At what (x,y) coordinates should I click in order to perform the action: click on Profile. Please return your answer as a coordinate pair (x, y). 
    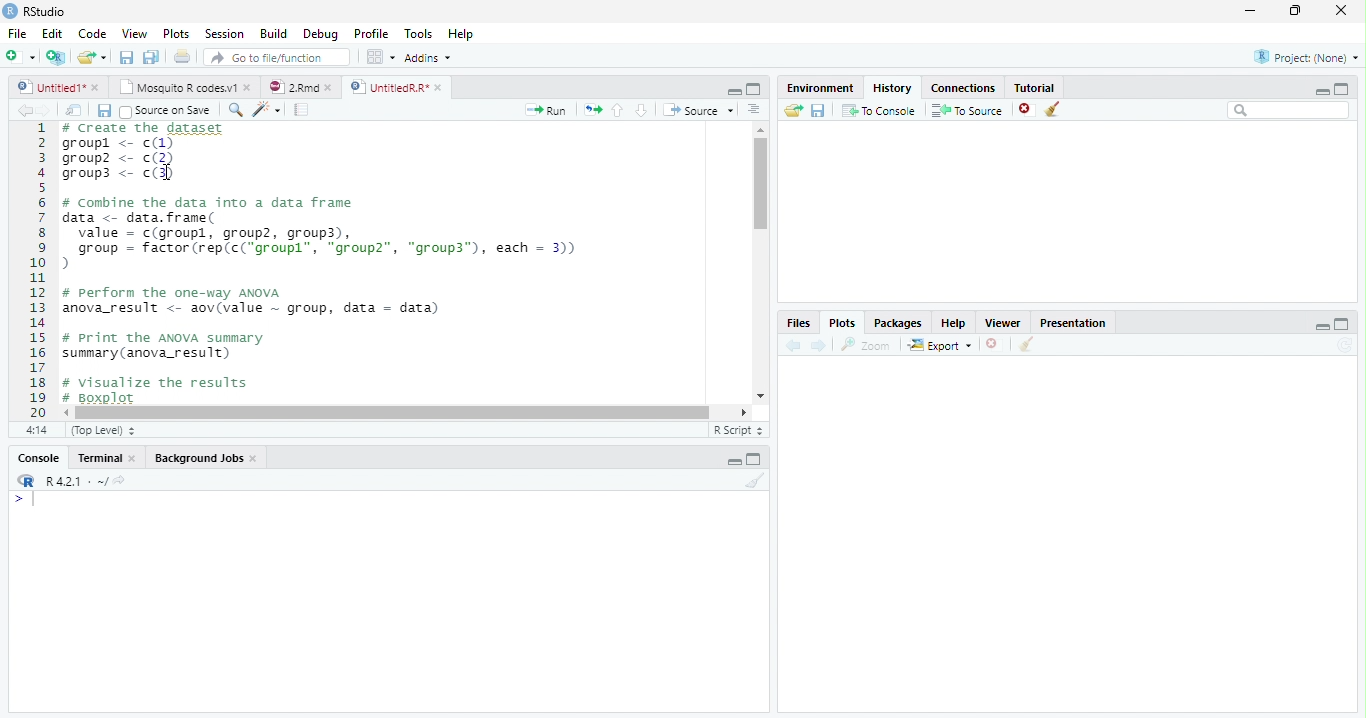
    Looking at the image, I should click on (370, 34).